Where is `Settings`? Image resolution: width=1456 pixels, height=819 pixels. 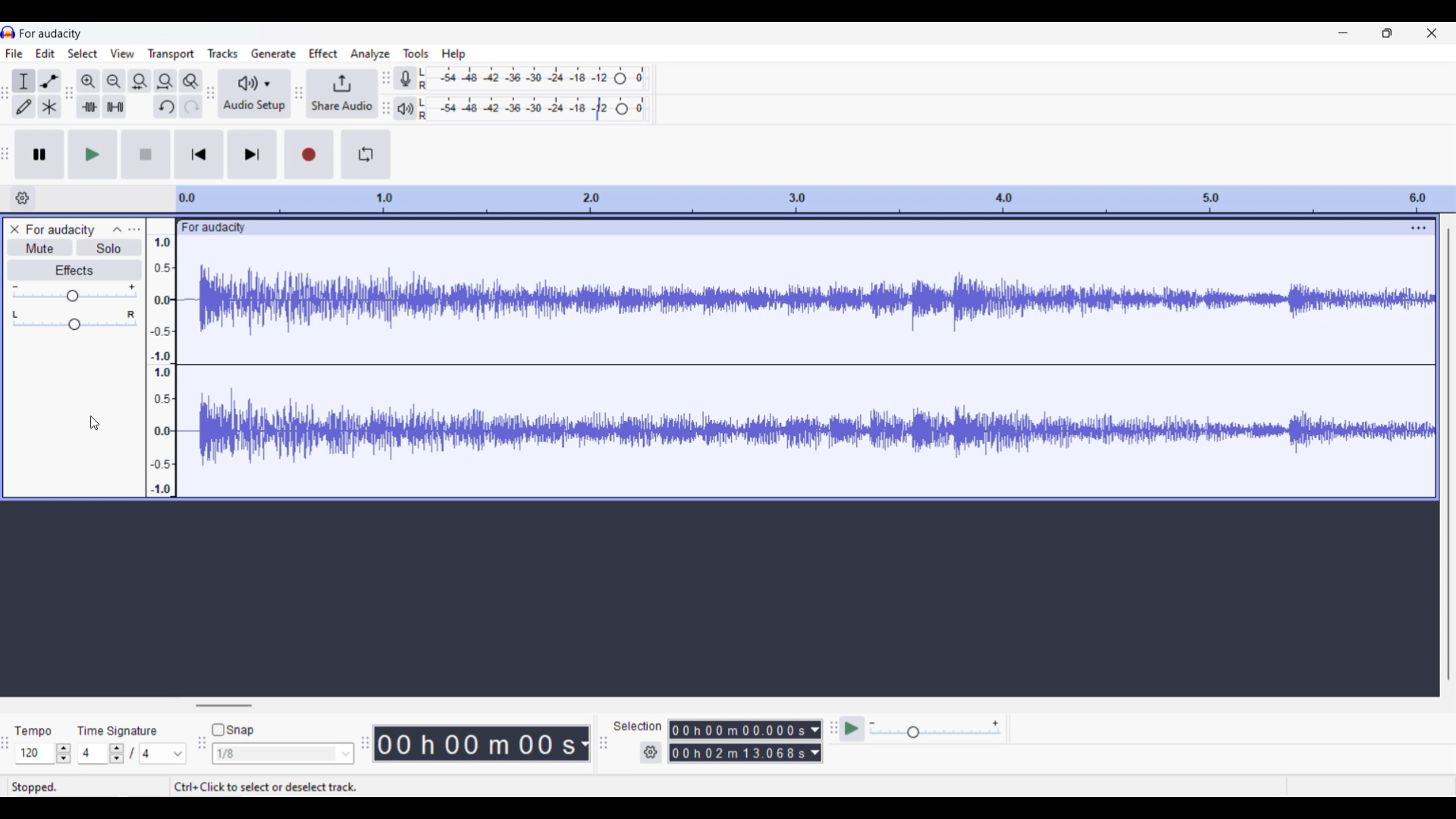
Settings is located at coordinates (651, 752).